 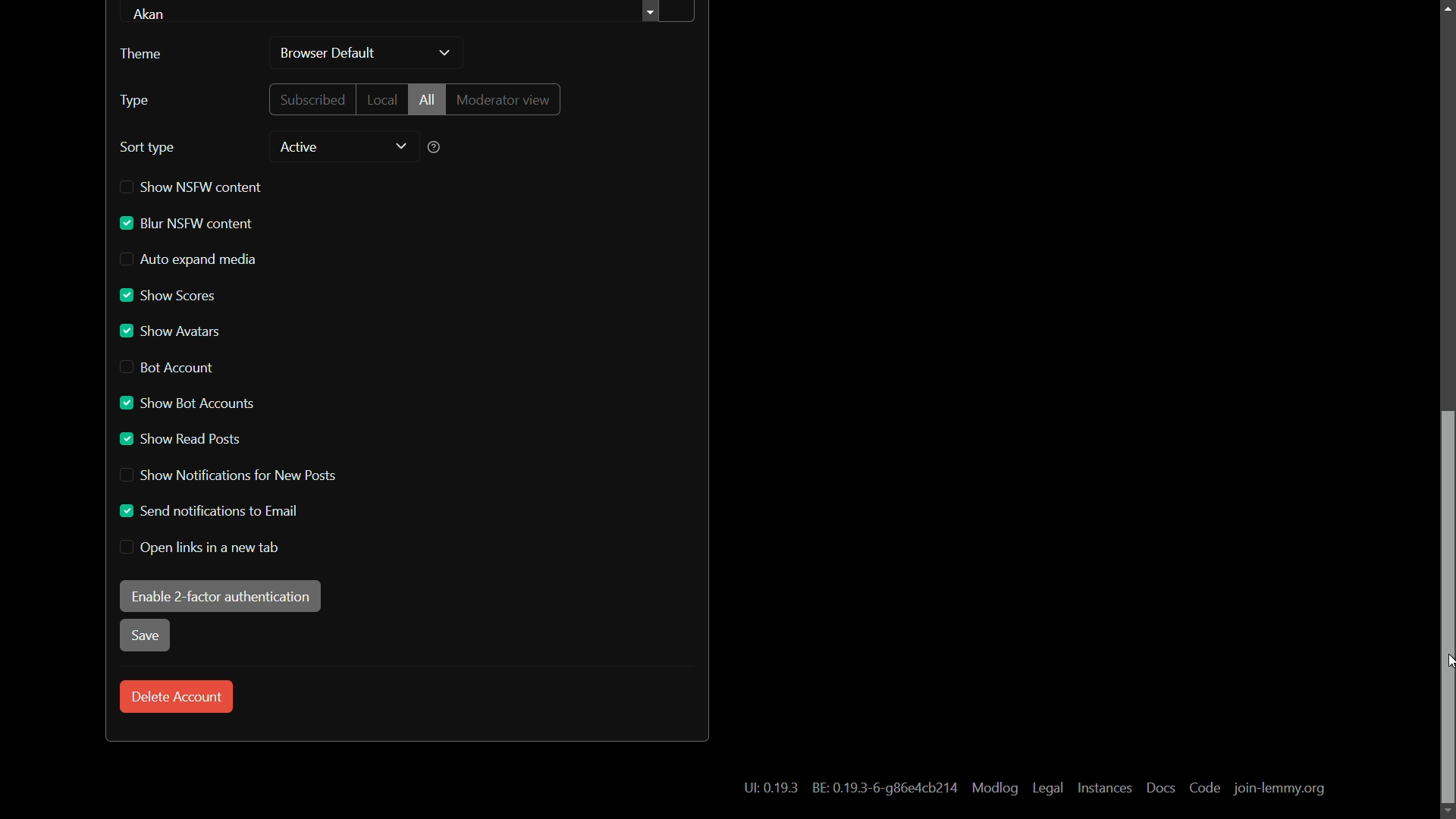 What do you see at coordinates (1447, 666) in the screenshot?
I see `cursor` at bounding box center [1447, 666].